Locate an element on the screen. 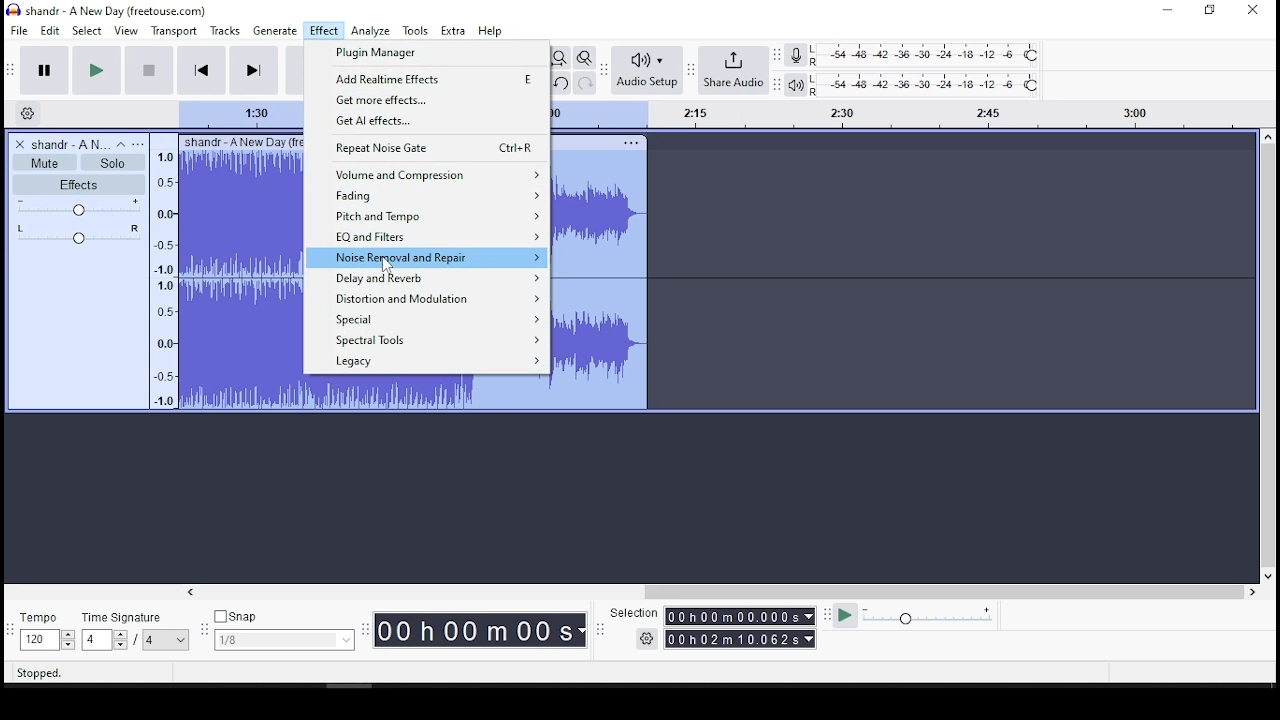 The width and height of the screenshot is (1280, 720). stop is located at coordinates (147, 71).